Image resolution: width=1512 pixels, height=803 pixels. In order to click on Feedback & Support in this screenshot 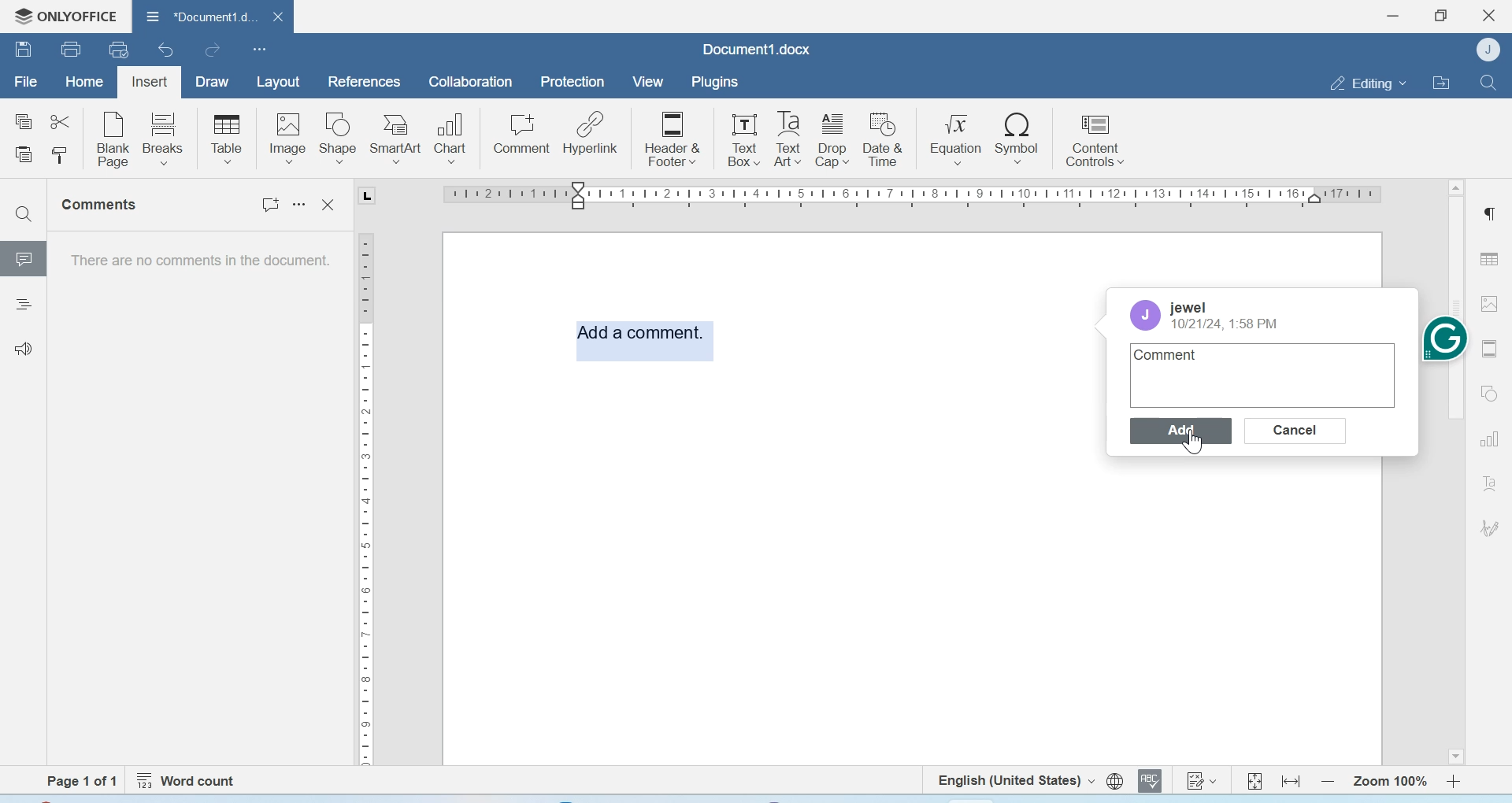, I will do `click(24, 348)`.